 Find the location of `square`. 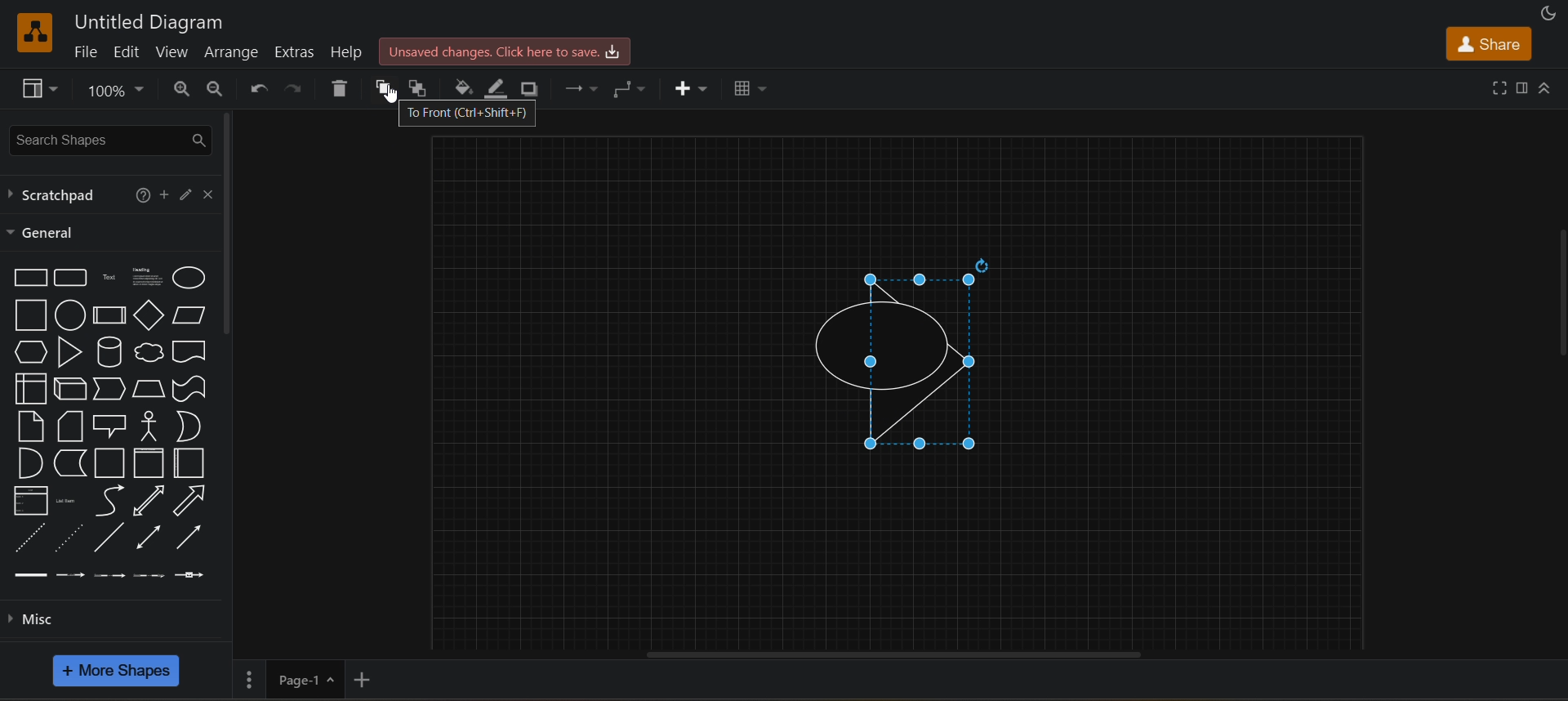

square is located at coordinates (30, 315).